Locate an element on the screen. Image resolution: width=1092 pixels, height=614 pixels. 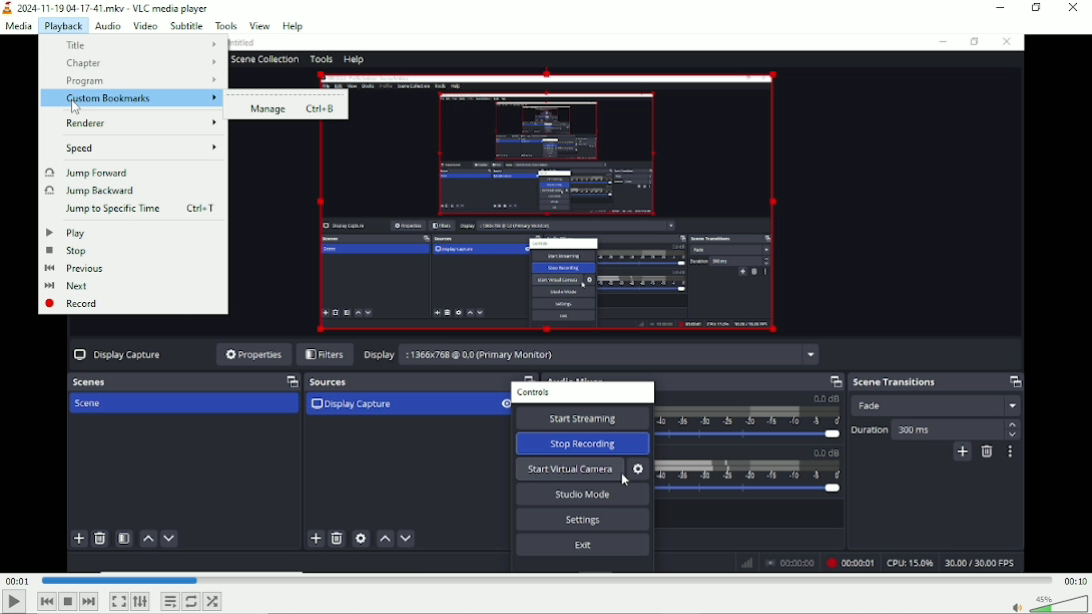
Manage is located at coordinates (292, 108).